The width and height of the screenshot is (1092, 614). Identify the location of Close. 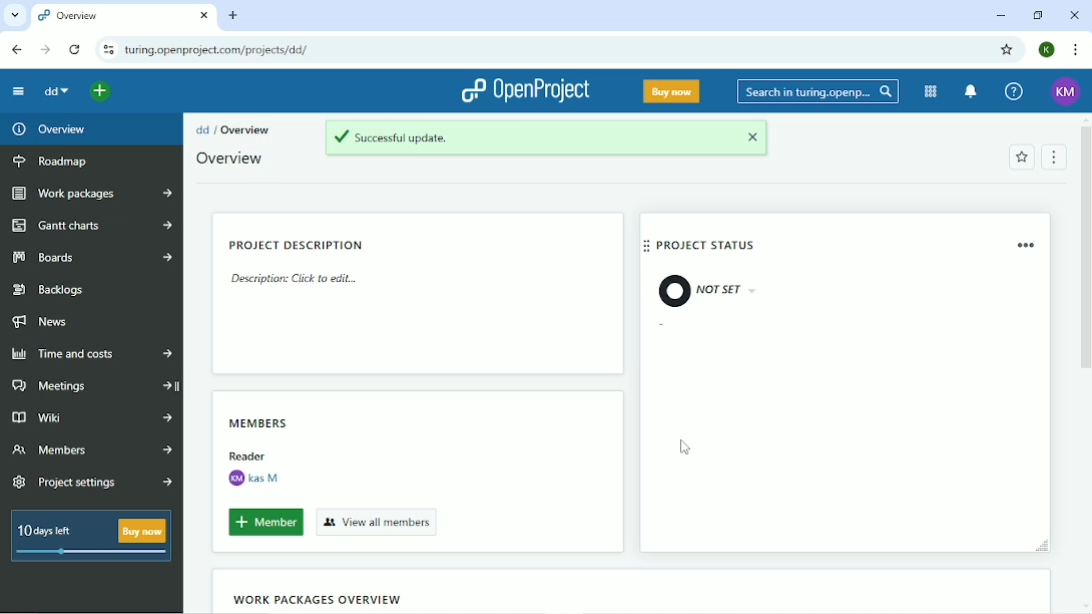
(1076, 14).